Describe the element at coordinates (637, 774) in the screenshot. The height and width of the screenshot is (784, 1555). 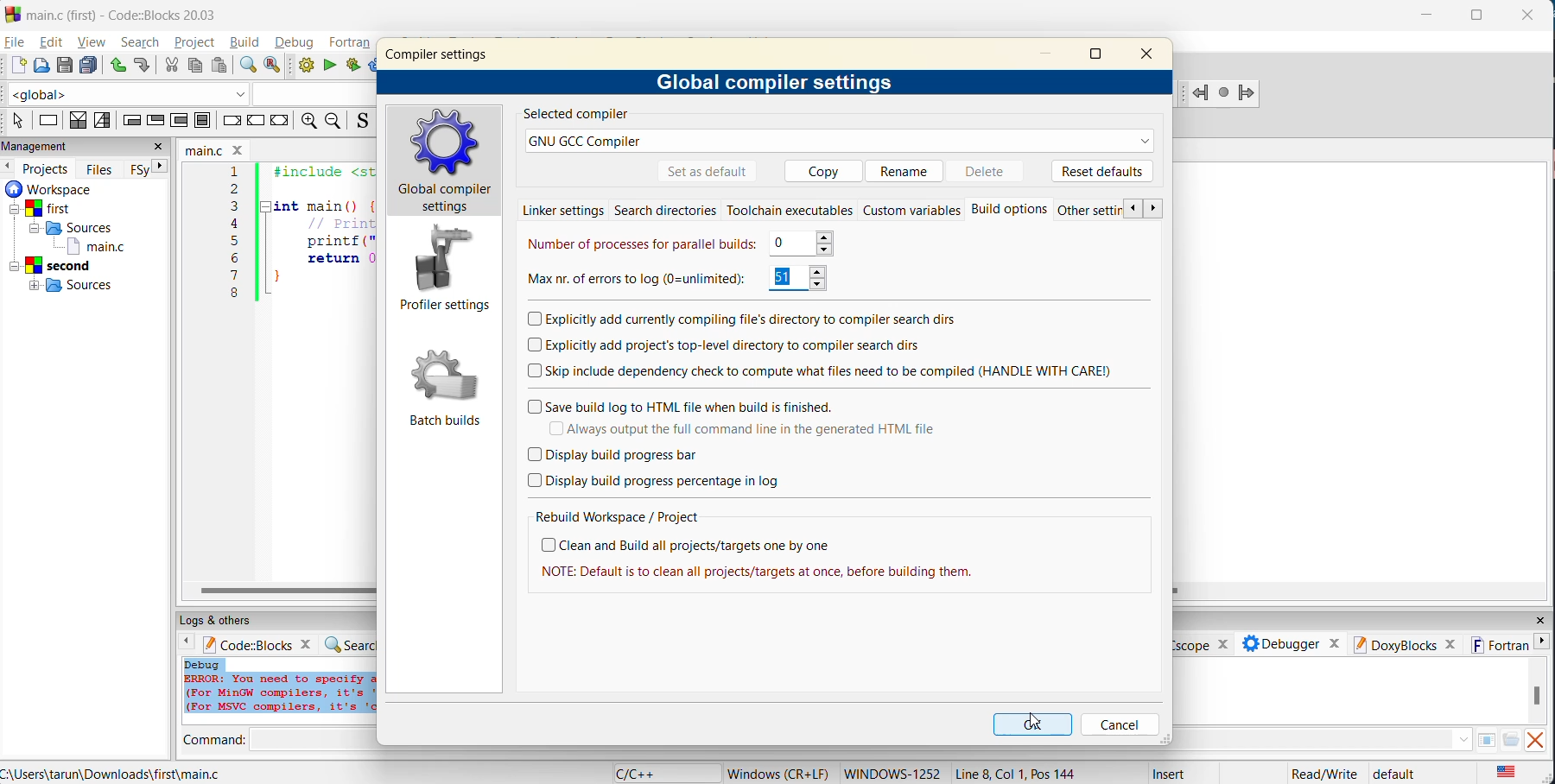
I see `language` at that location.